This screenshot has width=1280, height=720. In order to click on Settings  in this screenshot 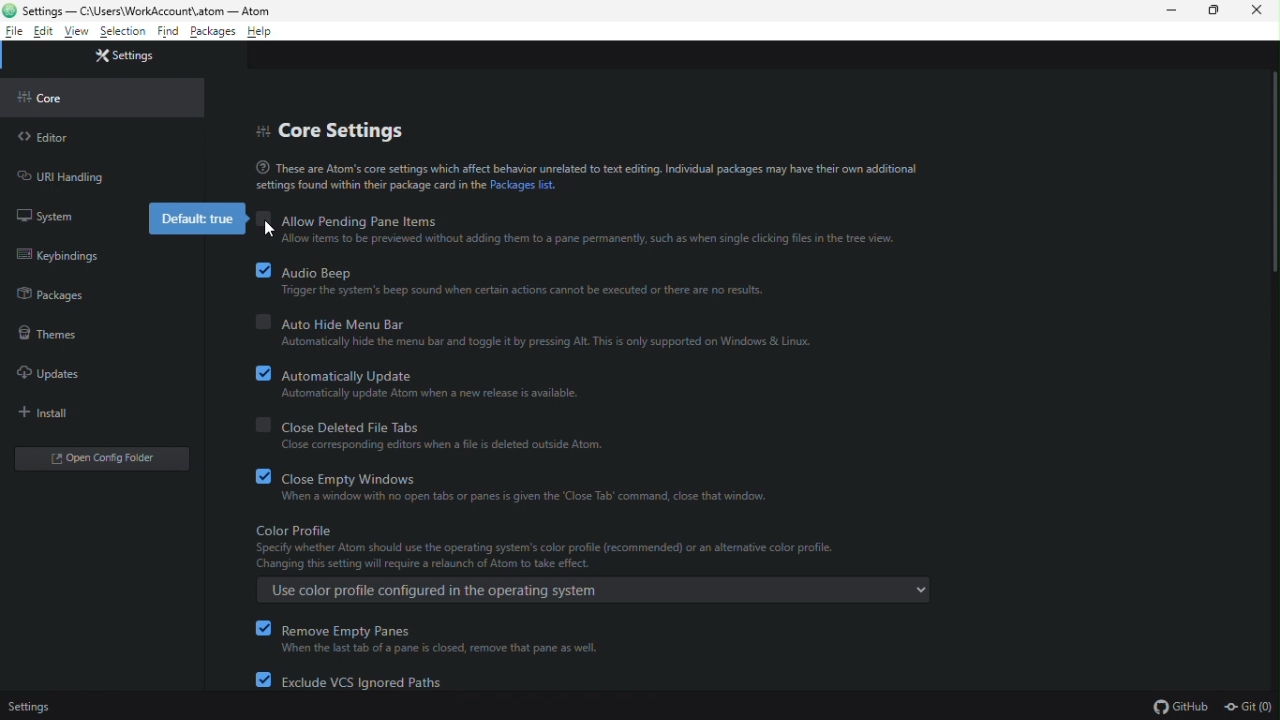, I will do `click(28, 705)`.